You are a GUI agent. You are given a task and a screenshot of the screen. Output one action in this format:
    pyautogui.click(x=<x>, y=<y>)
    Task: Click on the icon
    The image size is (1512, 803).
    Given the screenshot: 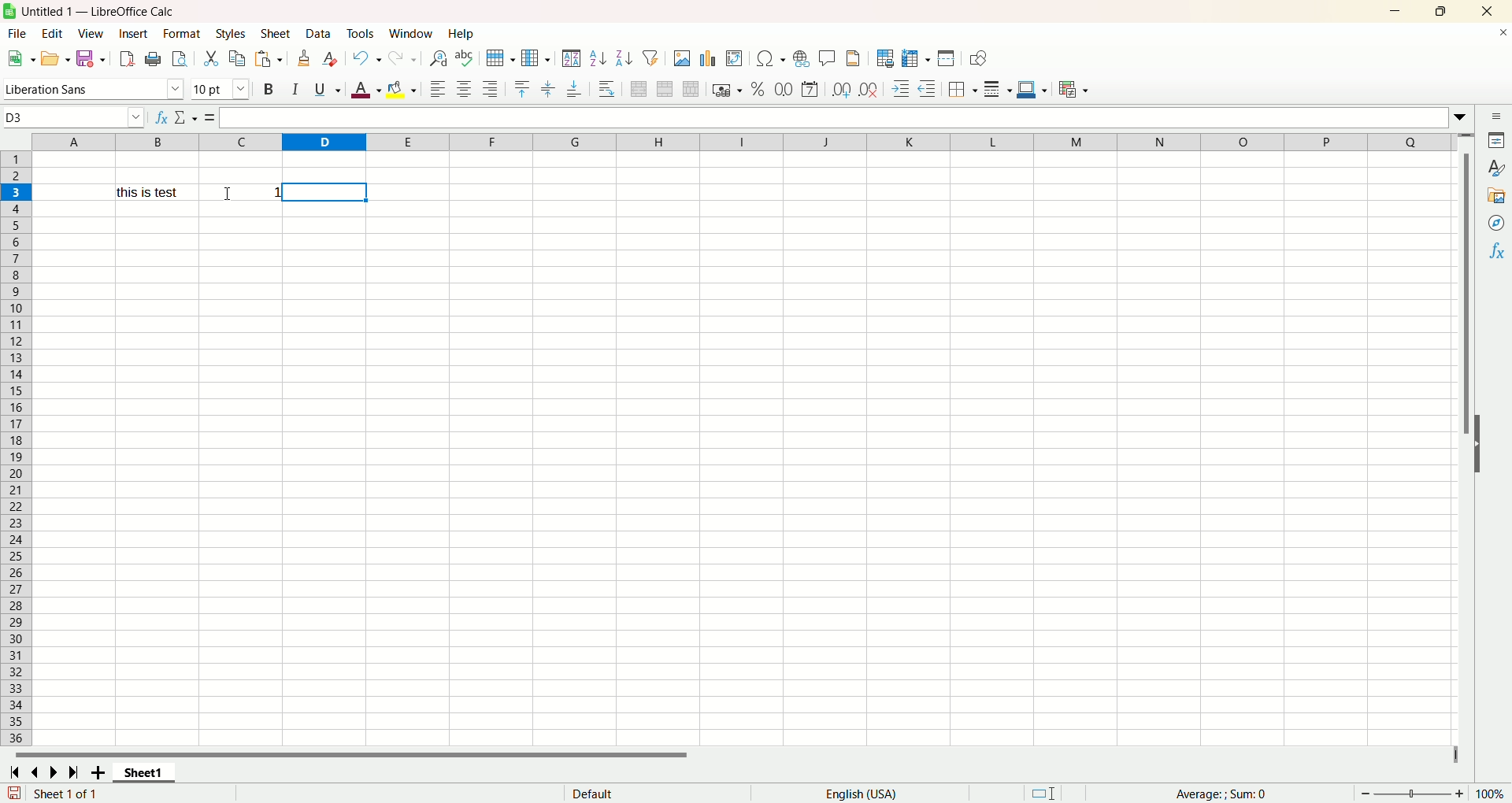 What is the action you would take?
    pyautogui.click(x=9, y=11)
    